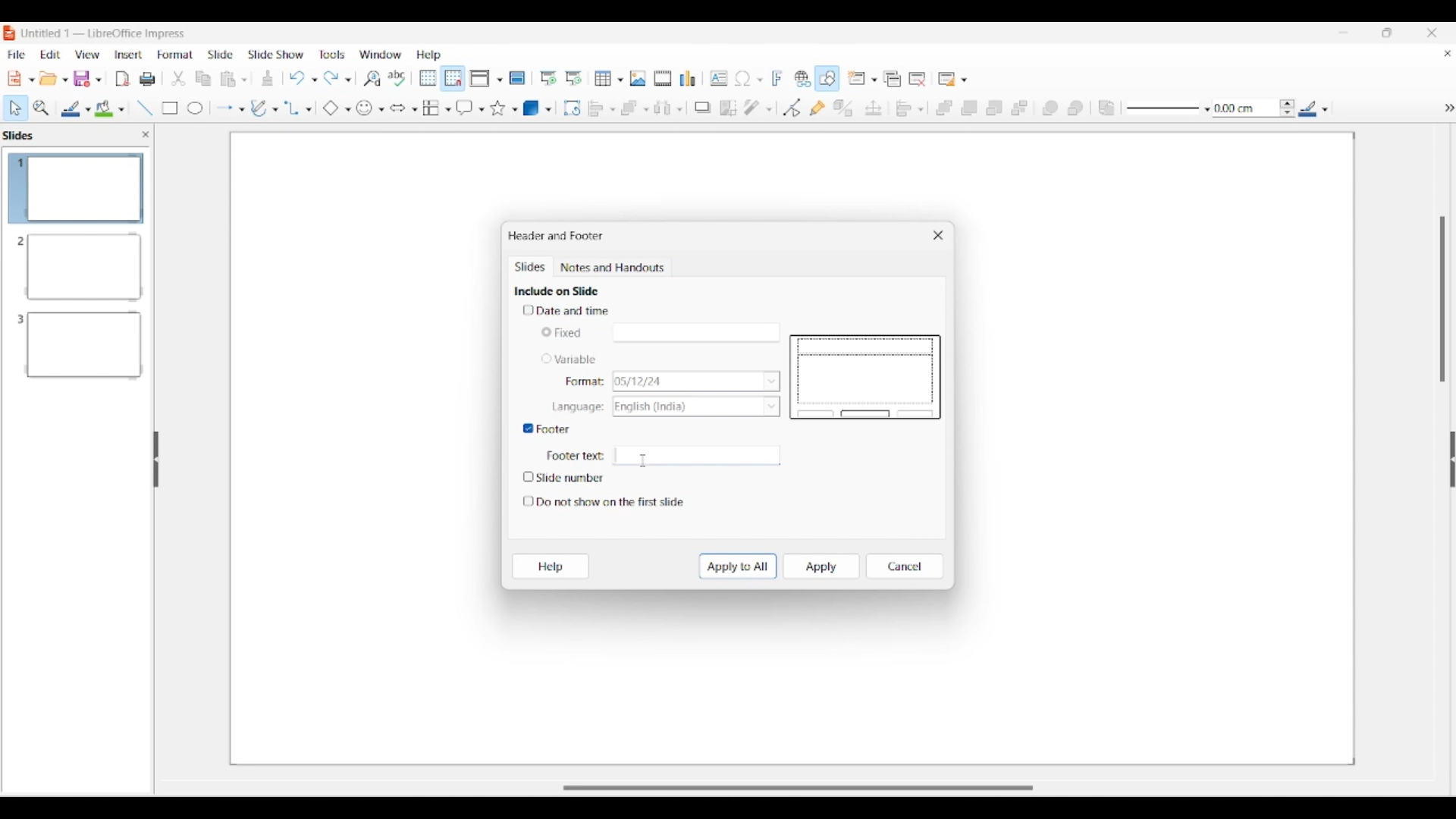 Image resolution: width=1456 pixels, height=819 pixels. Describe the element at coordinates (1313, 108) in the screenshot. I see `Line color options` at that location.